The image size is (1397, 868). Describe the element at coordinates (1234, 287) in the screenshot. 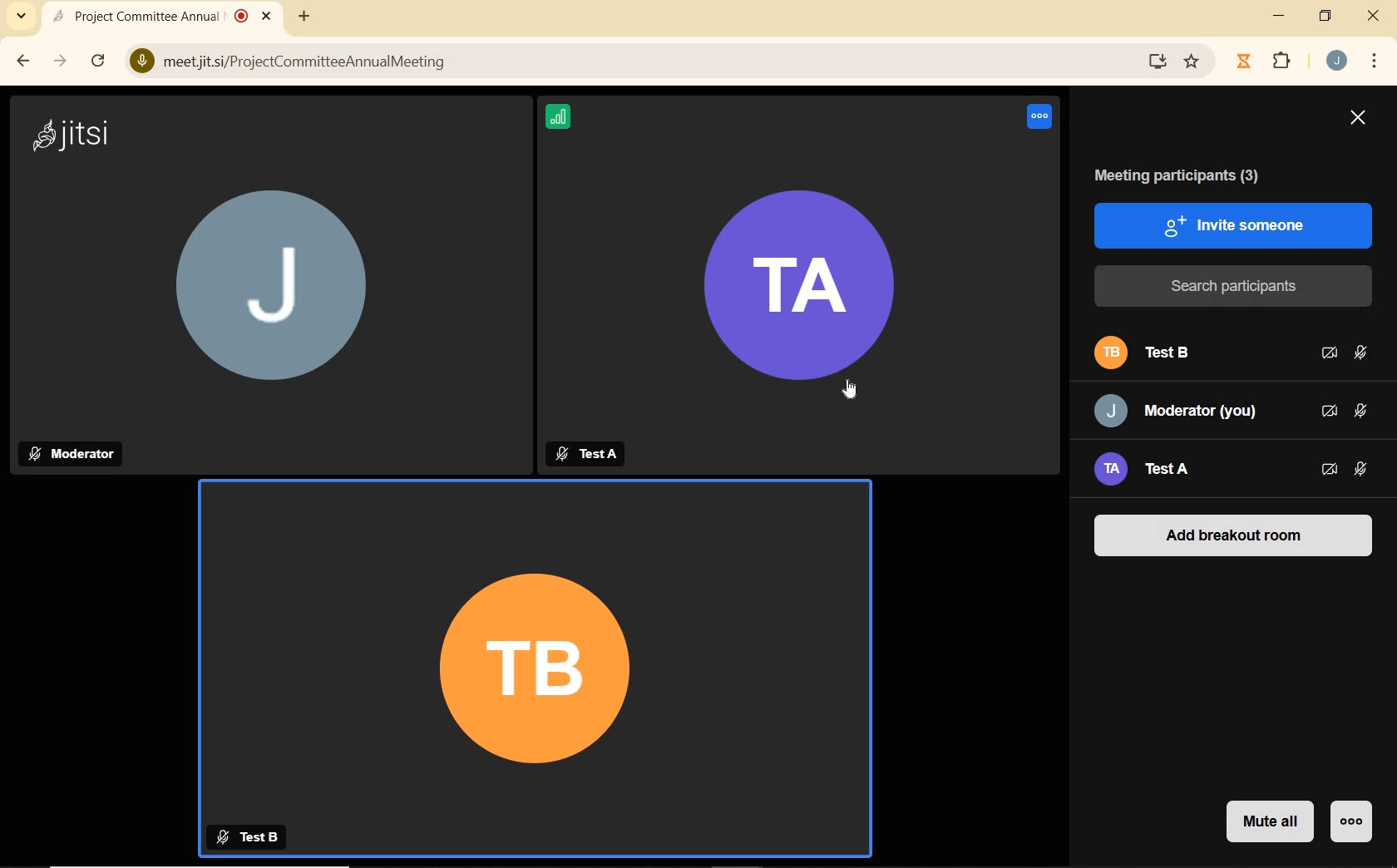

I see `SEARCH PARTICIPANTS` at that location.